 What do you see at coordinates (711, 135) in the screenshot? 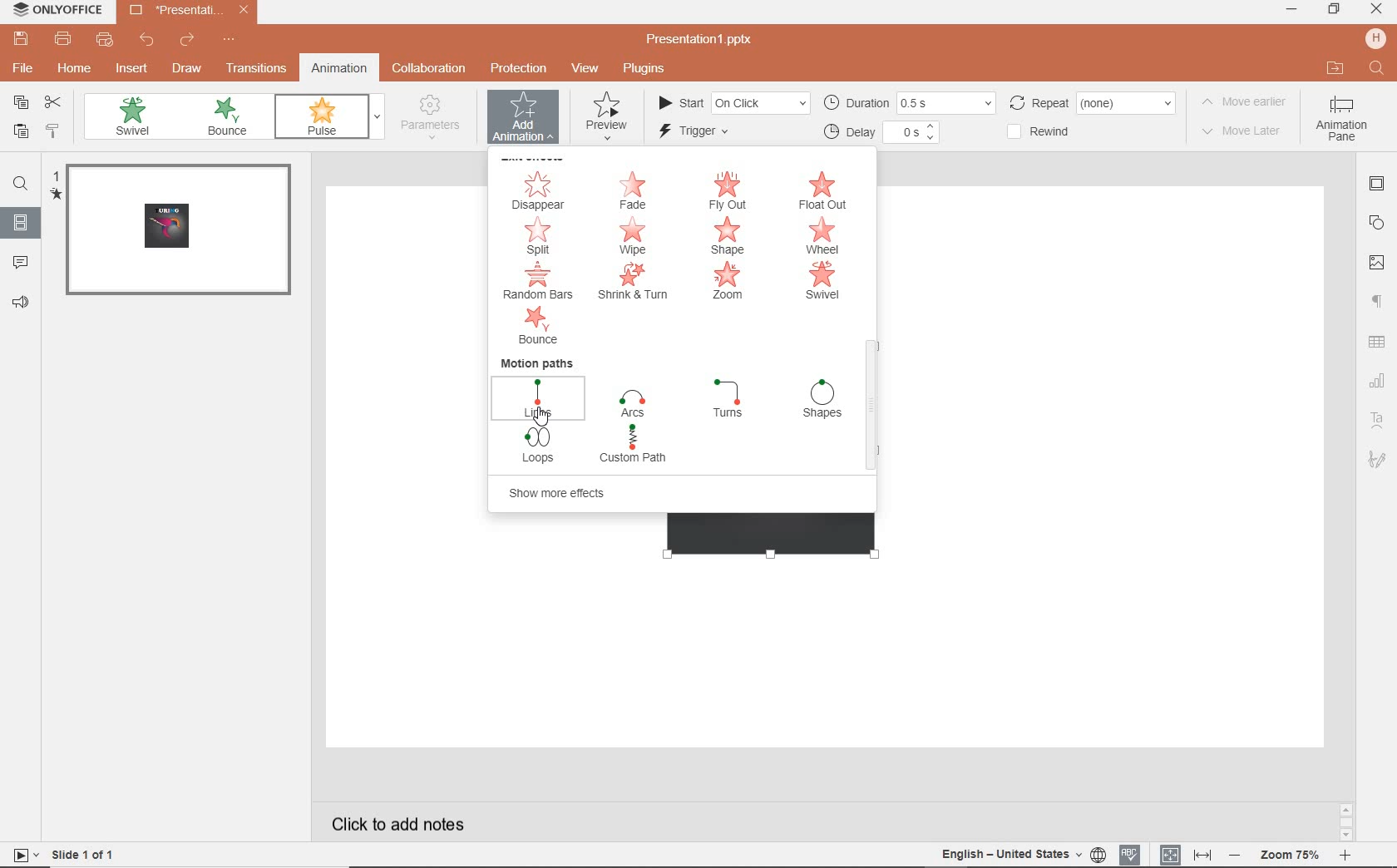
I see `trigger` at bounding box center [711, 135].